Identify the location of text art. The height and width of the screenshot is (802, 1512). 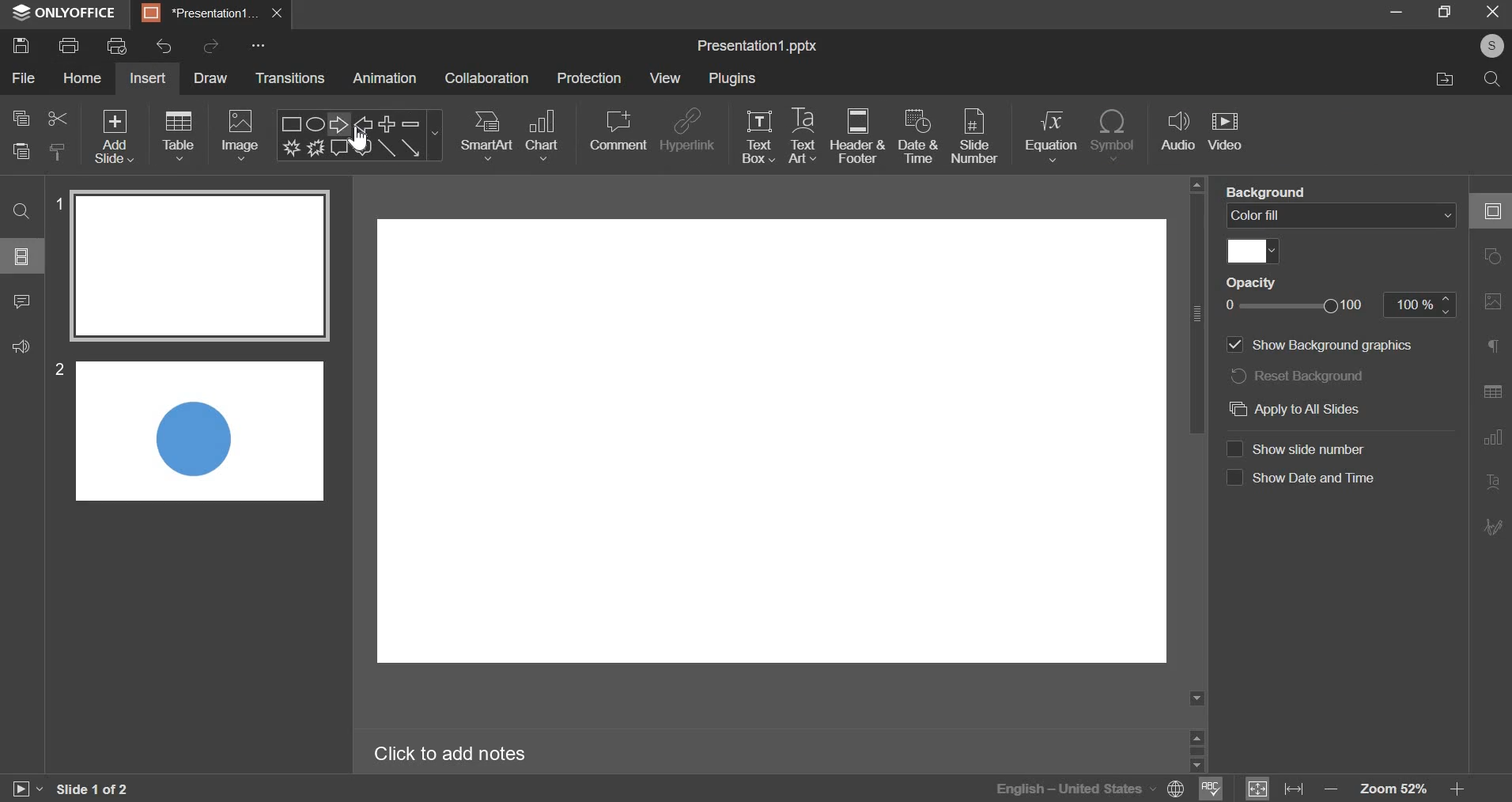
(803, 137).